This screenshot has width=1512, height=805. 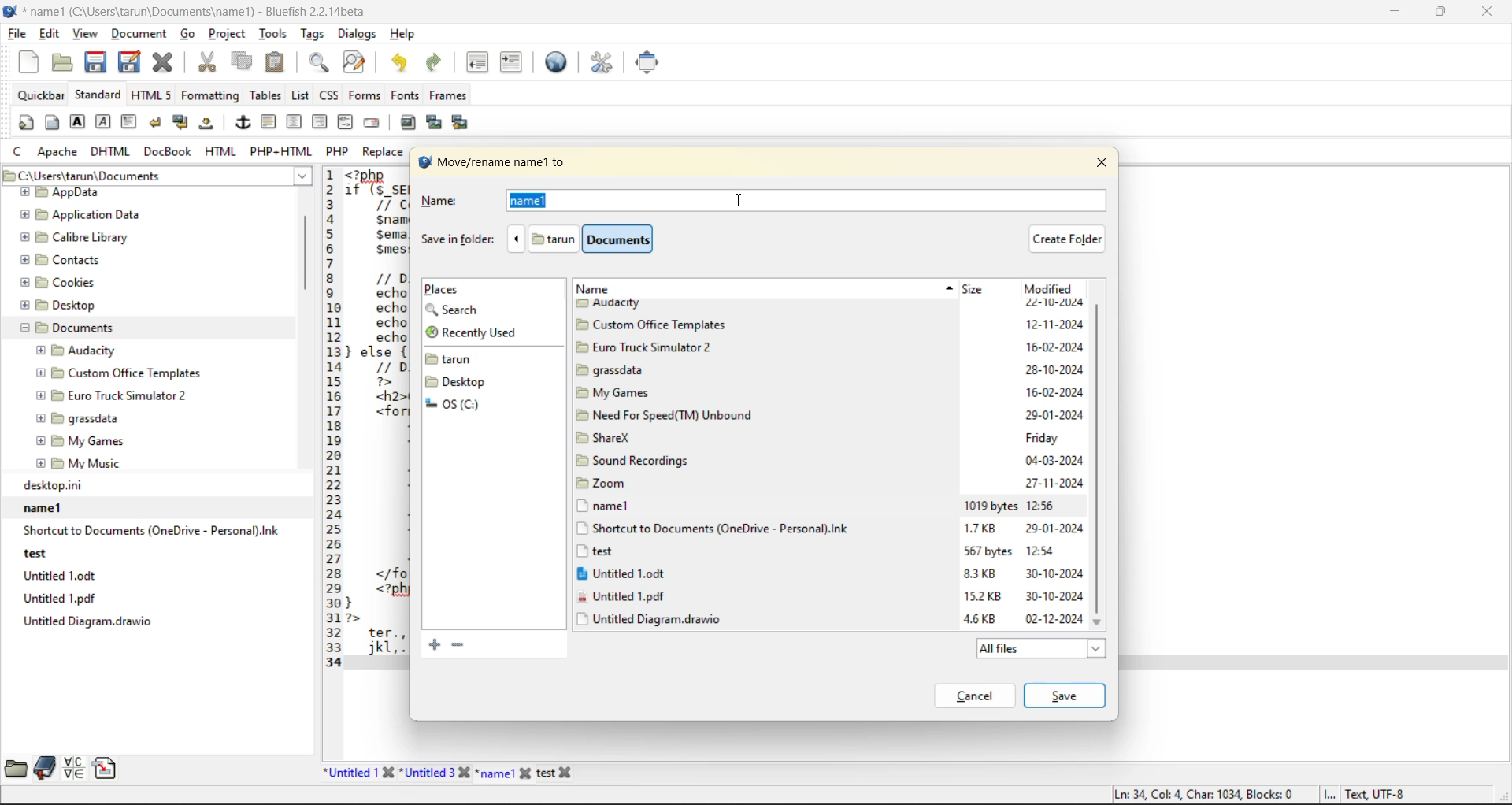 I want to click on dhtml, so click(x=111, y=152).